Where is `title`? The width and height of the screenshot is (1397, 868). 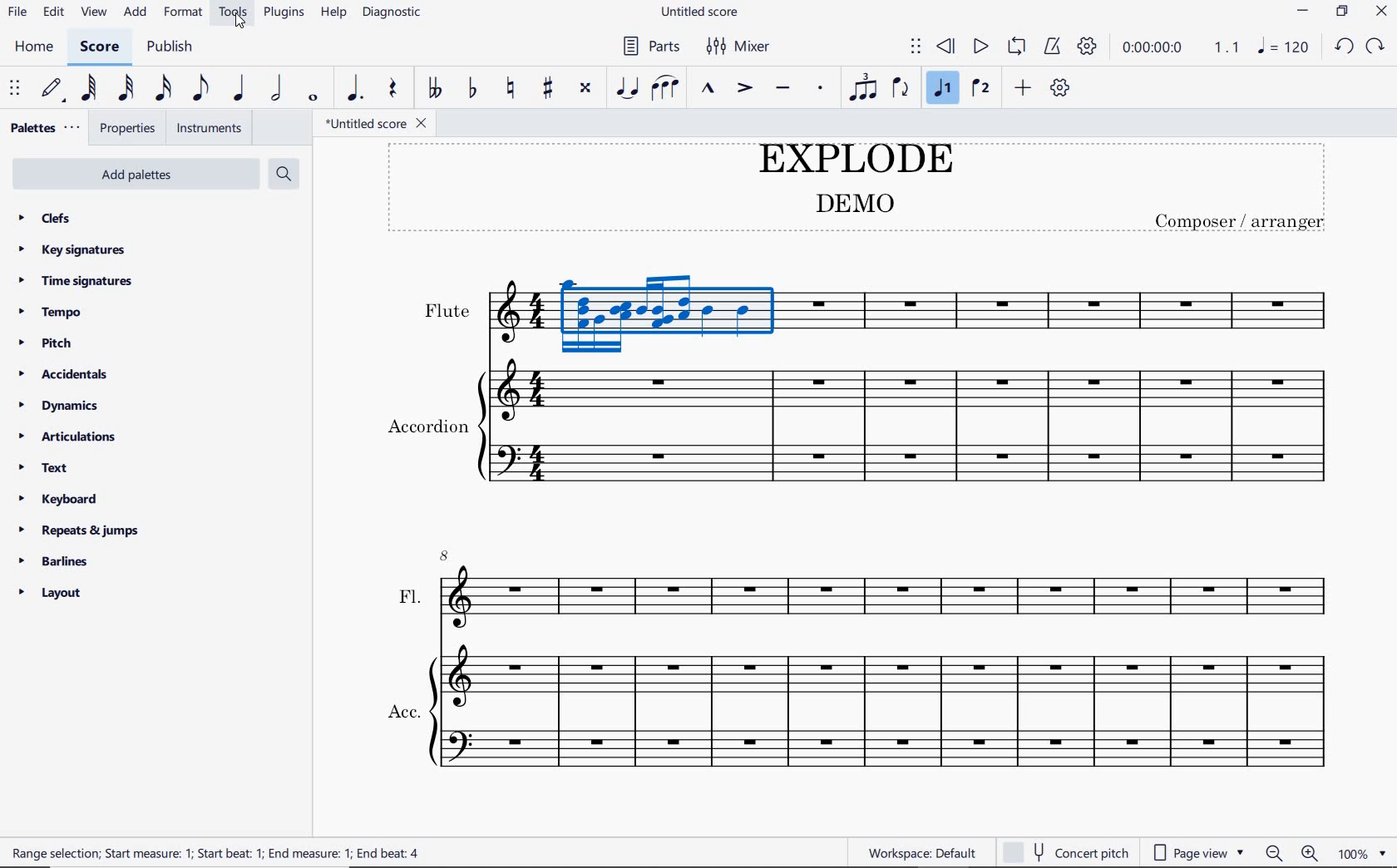
title is located at coordinates (858, 189).